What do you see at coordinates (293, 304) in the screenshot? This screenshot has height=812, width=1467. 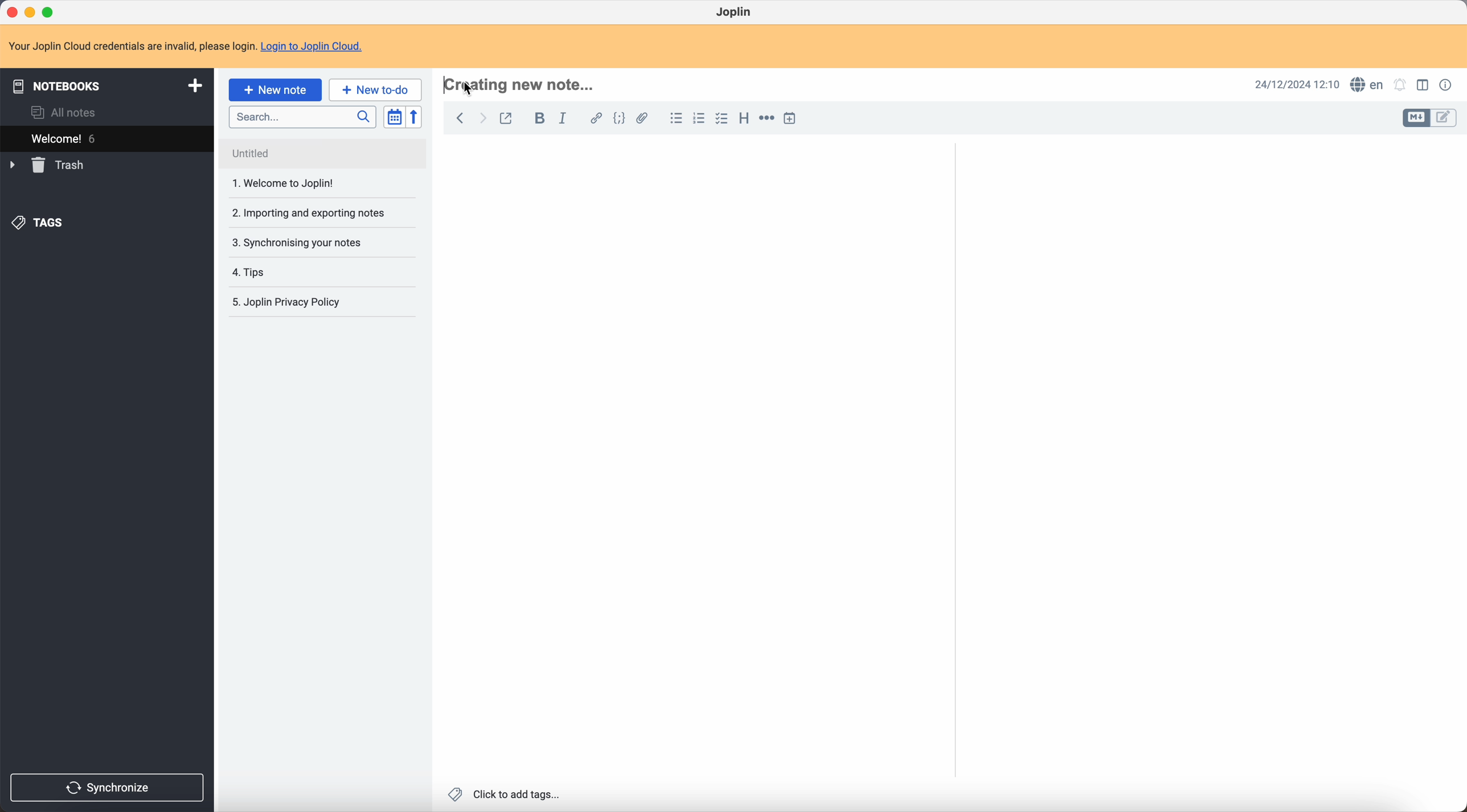 I see `Joplin privacy policy` at bounding box center [293, 304].